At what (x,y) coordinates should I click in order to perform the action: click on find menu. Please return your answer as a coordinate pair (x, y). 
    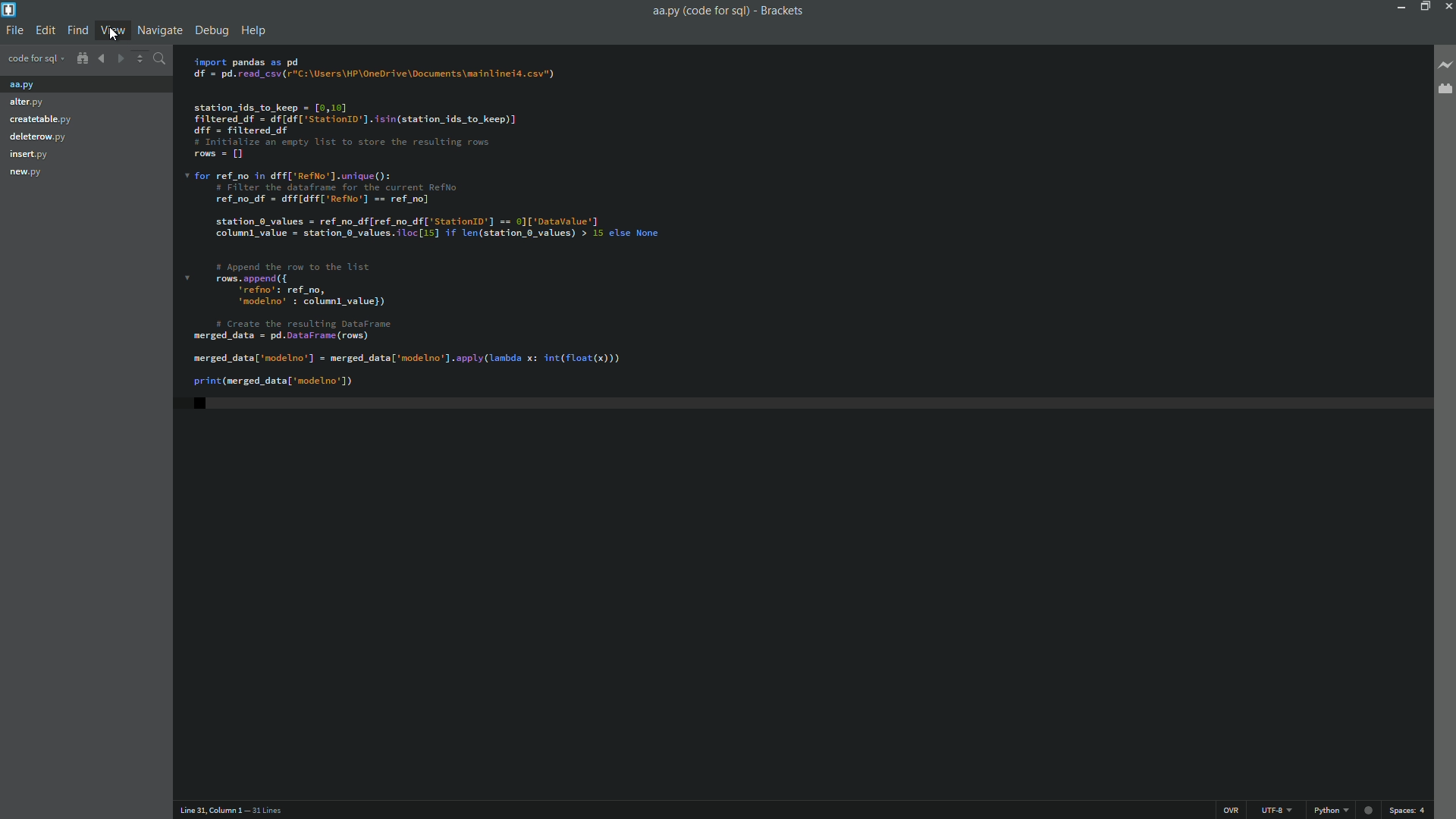
    Looking at the image, I should click on (78, 30).